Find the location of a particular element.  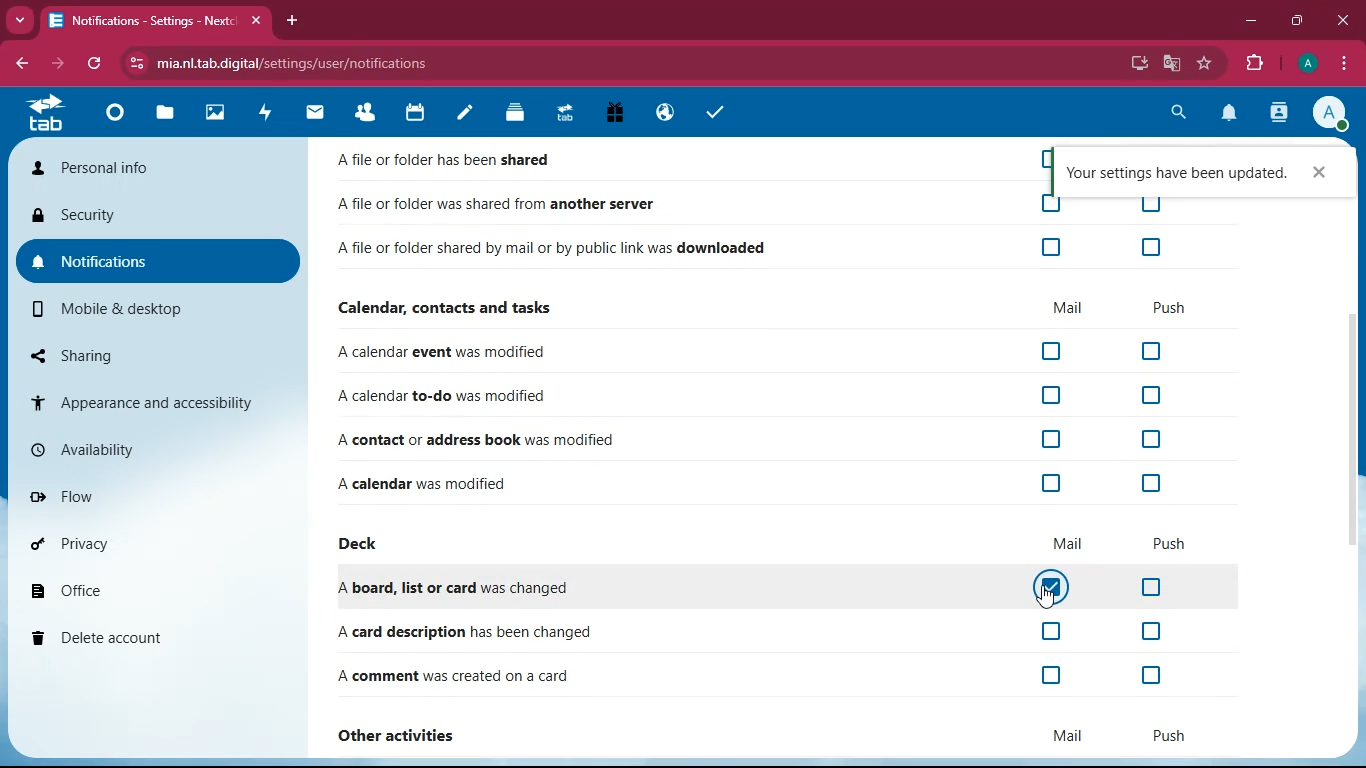

mail is located at coordinates (1070, 302).